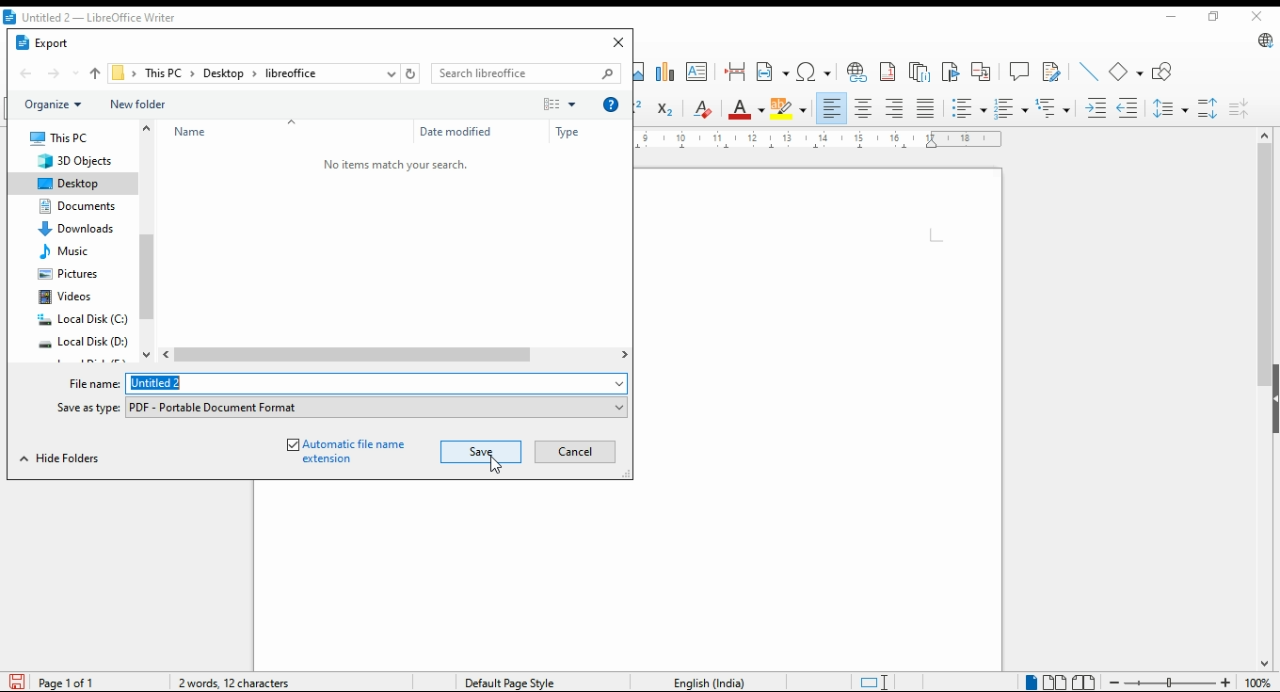  I want to click on Save as type, so click(377, 406).